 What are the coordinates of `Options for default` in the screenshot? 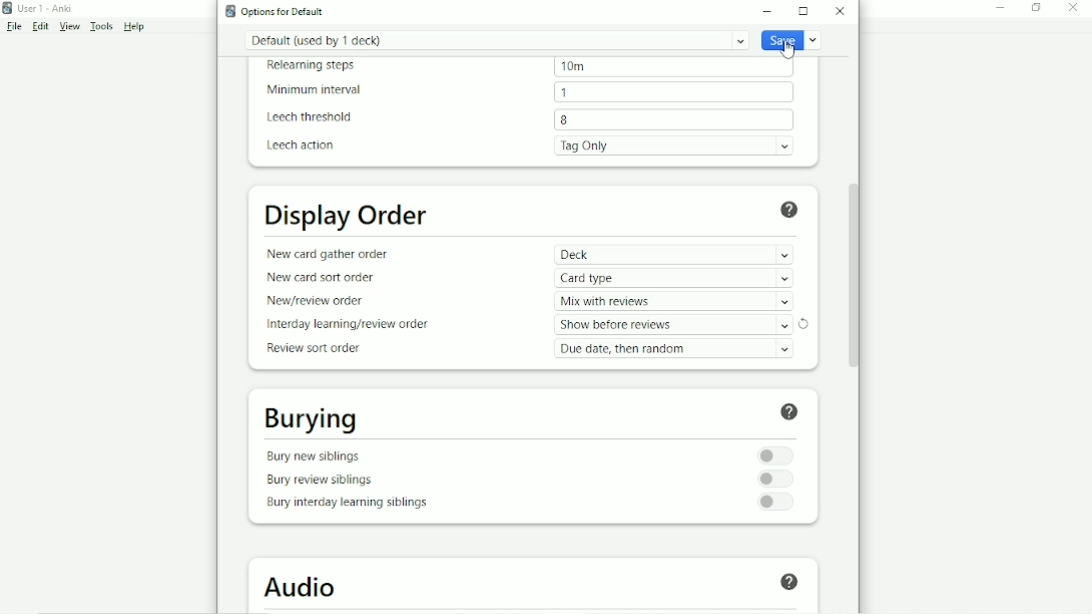 It's located at (282, 11).